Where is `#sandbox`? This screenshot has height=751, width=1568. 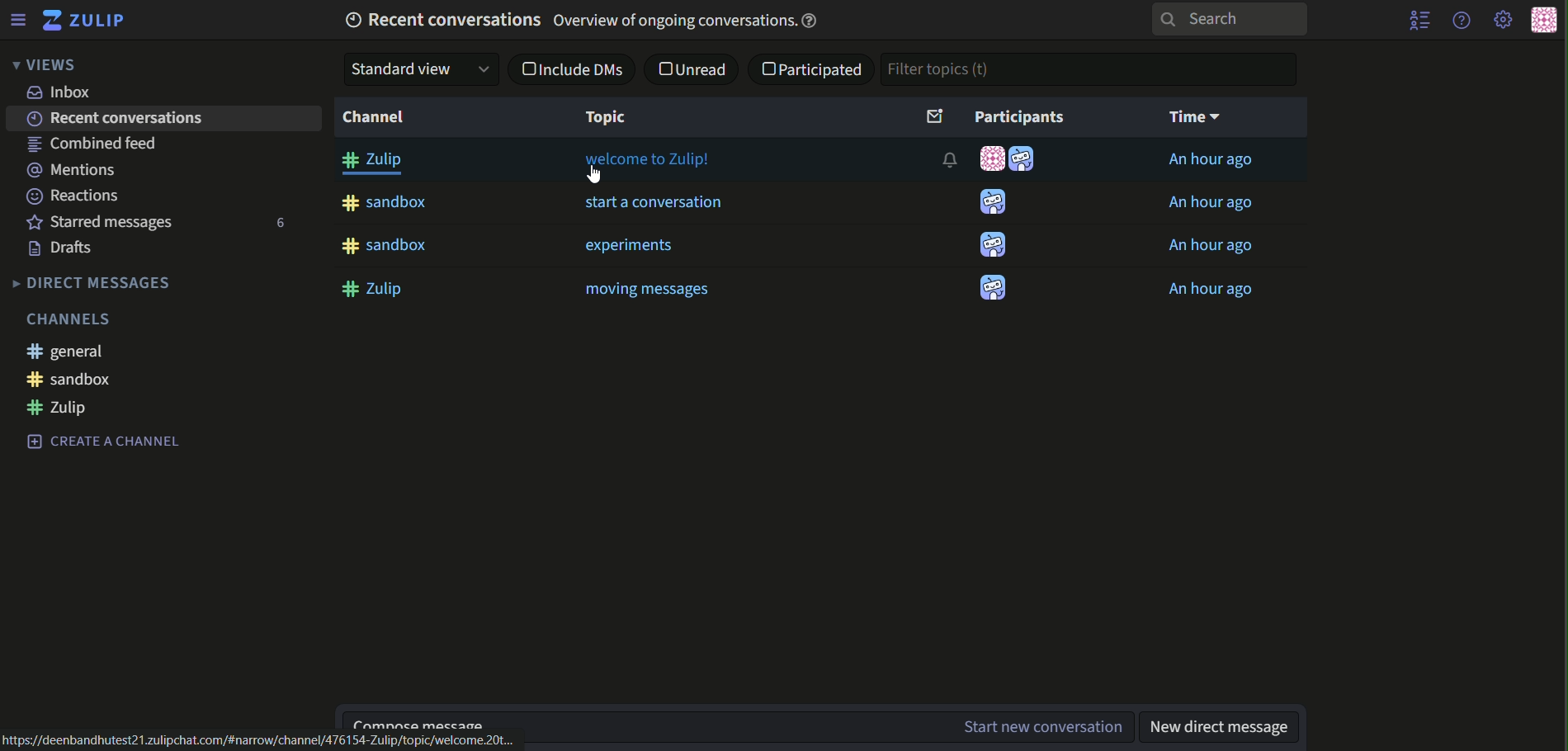
#sandbox is located at coordinates (389, 246).